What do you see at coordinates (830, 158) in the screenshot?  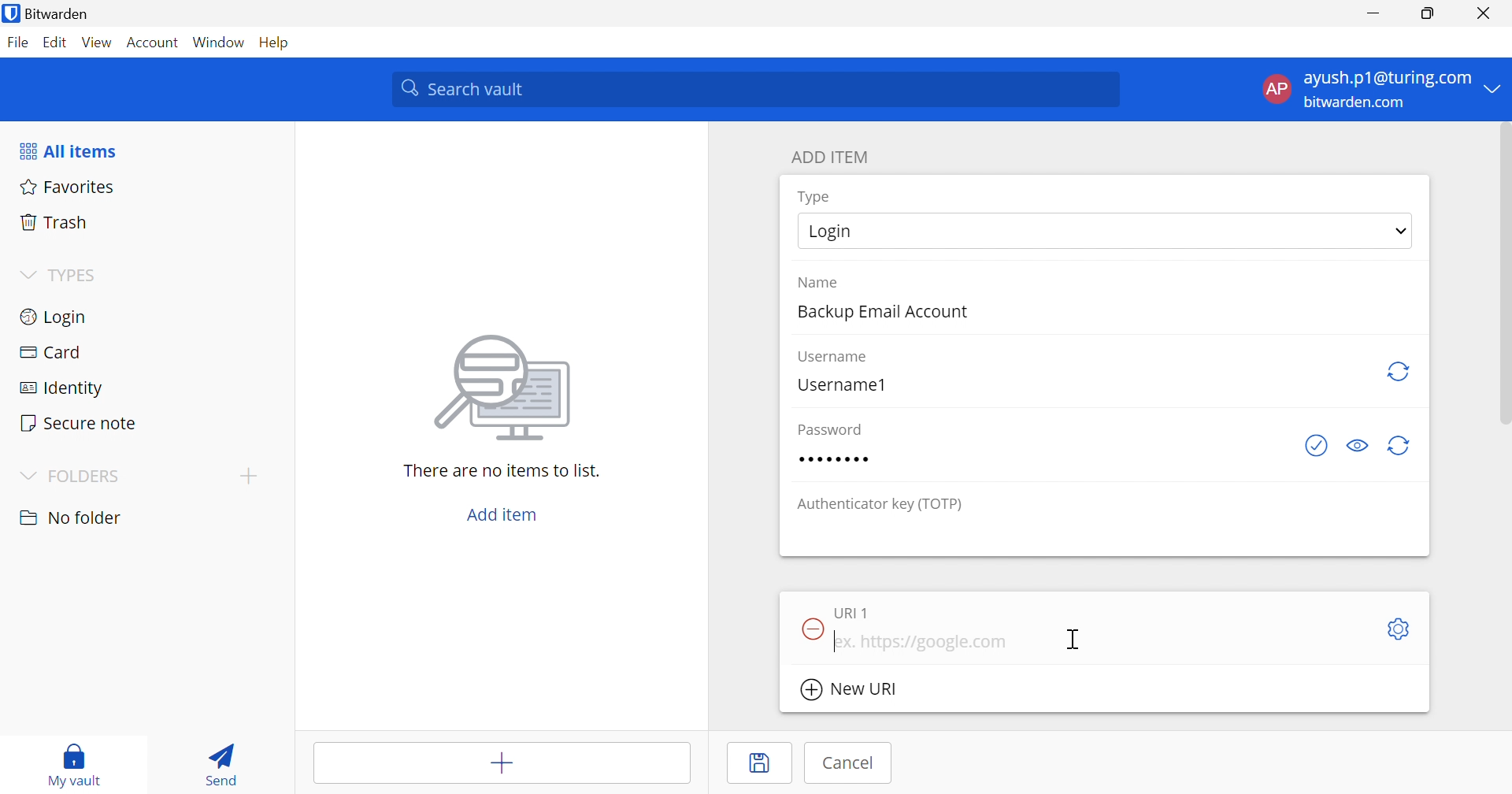 I see `ADD ITEM` at bounding box center [830, 158].